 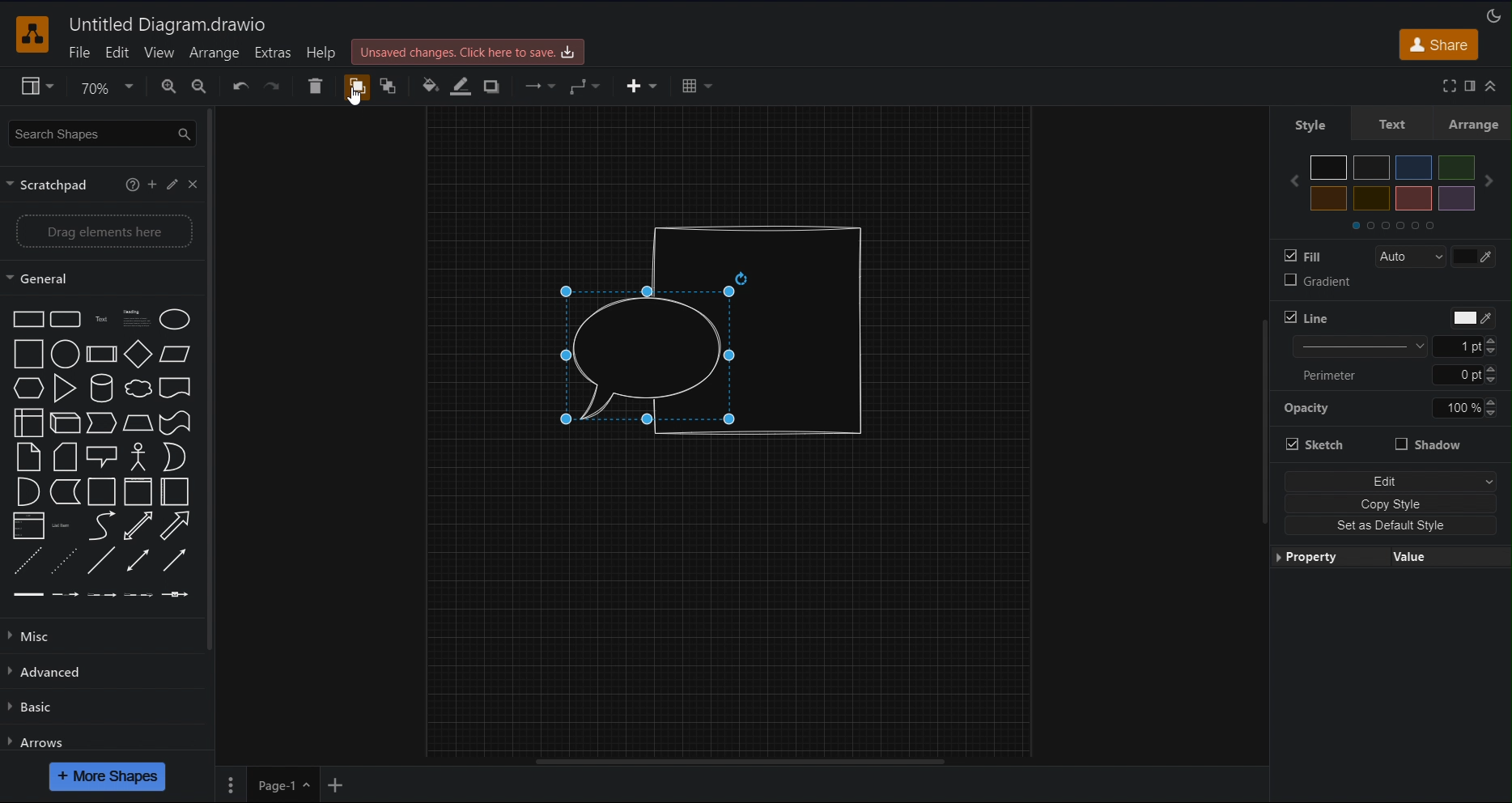 I want to click on Process, so click(x=102, y=355).